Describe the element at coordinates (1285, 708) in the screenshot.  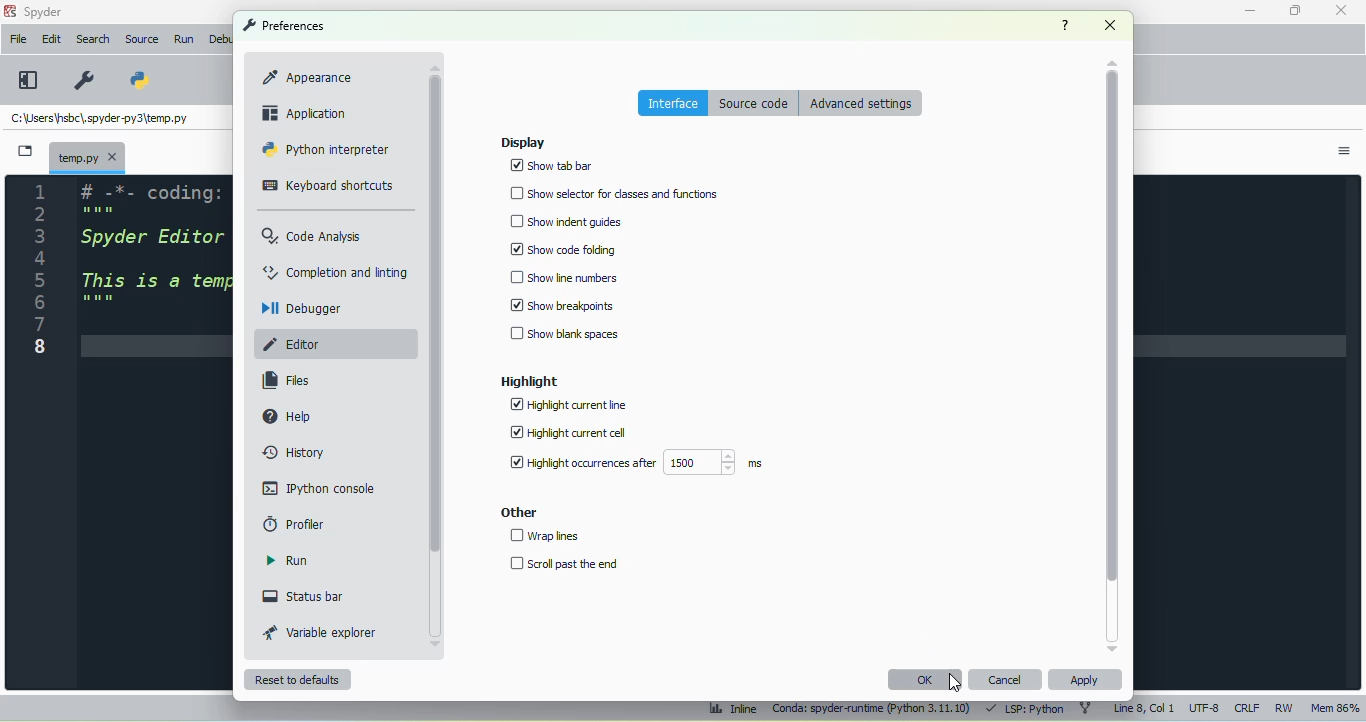
I see `RW` at that location.